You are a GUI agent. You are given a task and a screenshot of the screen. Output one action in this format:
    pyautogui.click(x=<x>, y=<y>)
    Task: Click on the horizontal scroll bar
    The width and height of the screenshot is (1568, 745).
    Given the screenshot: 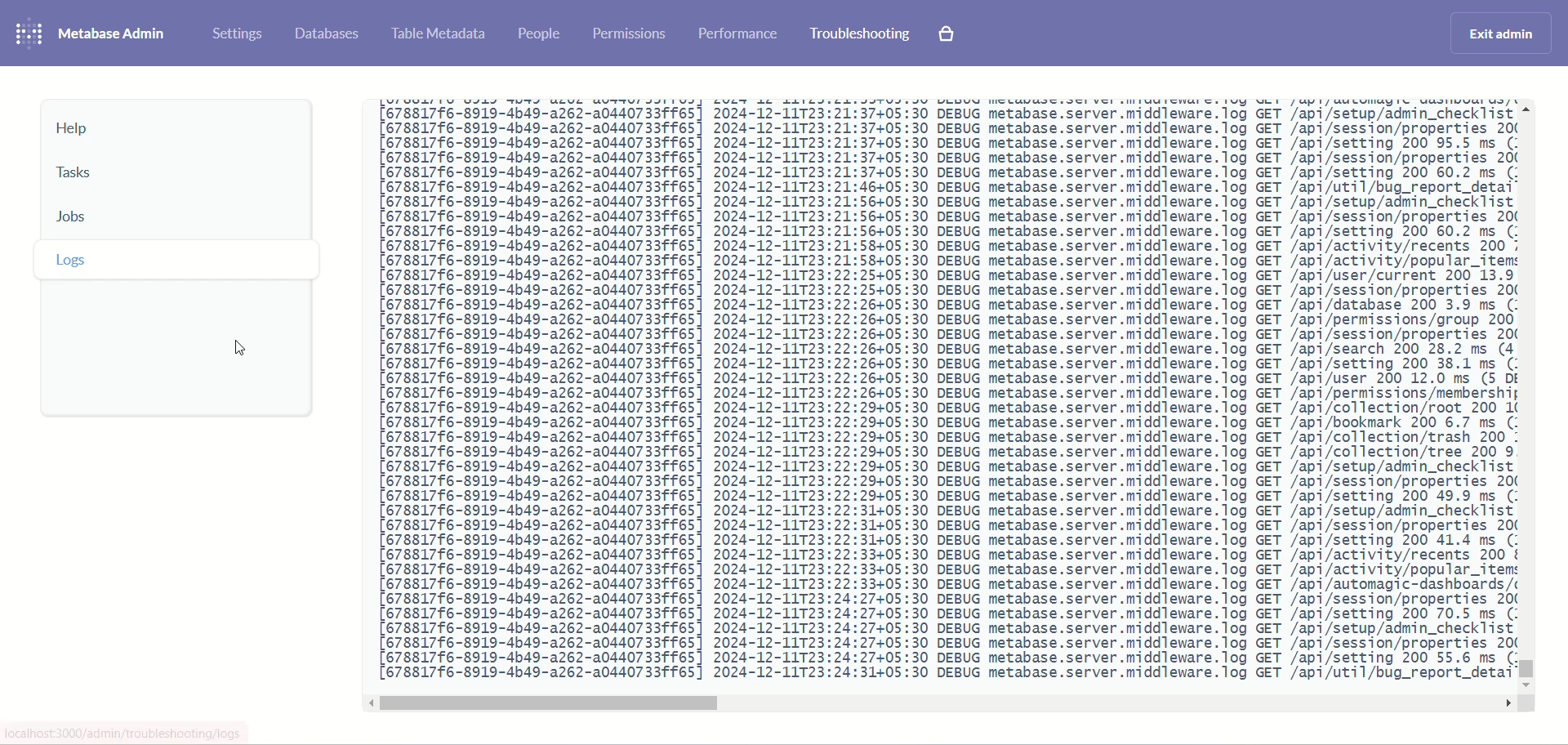 What is the action you would take?
    pyautogui.click(x=942, y=703)
    